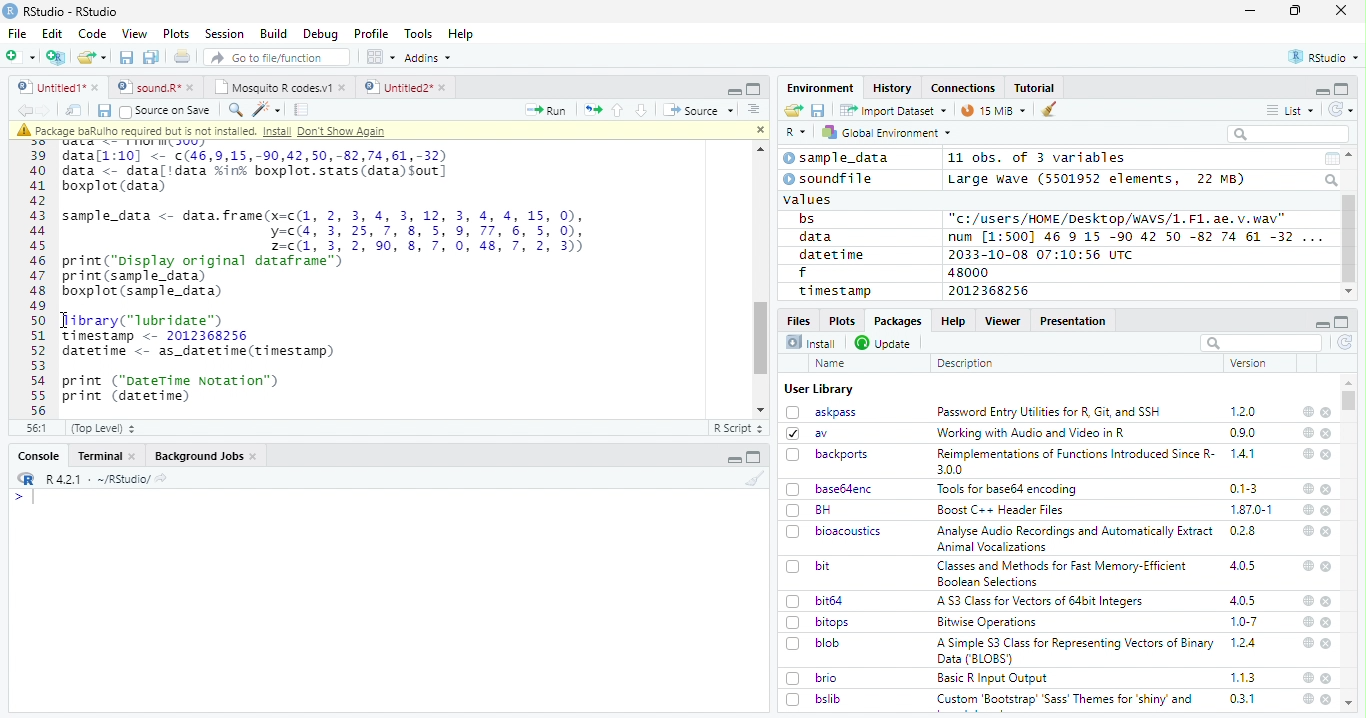  What do you see at coordinates (698, 112) in the screenshot?
I see `Source` at bounding box center [698, 112].